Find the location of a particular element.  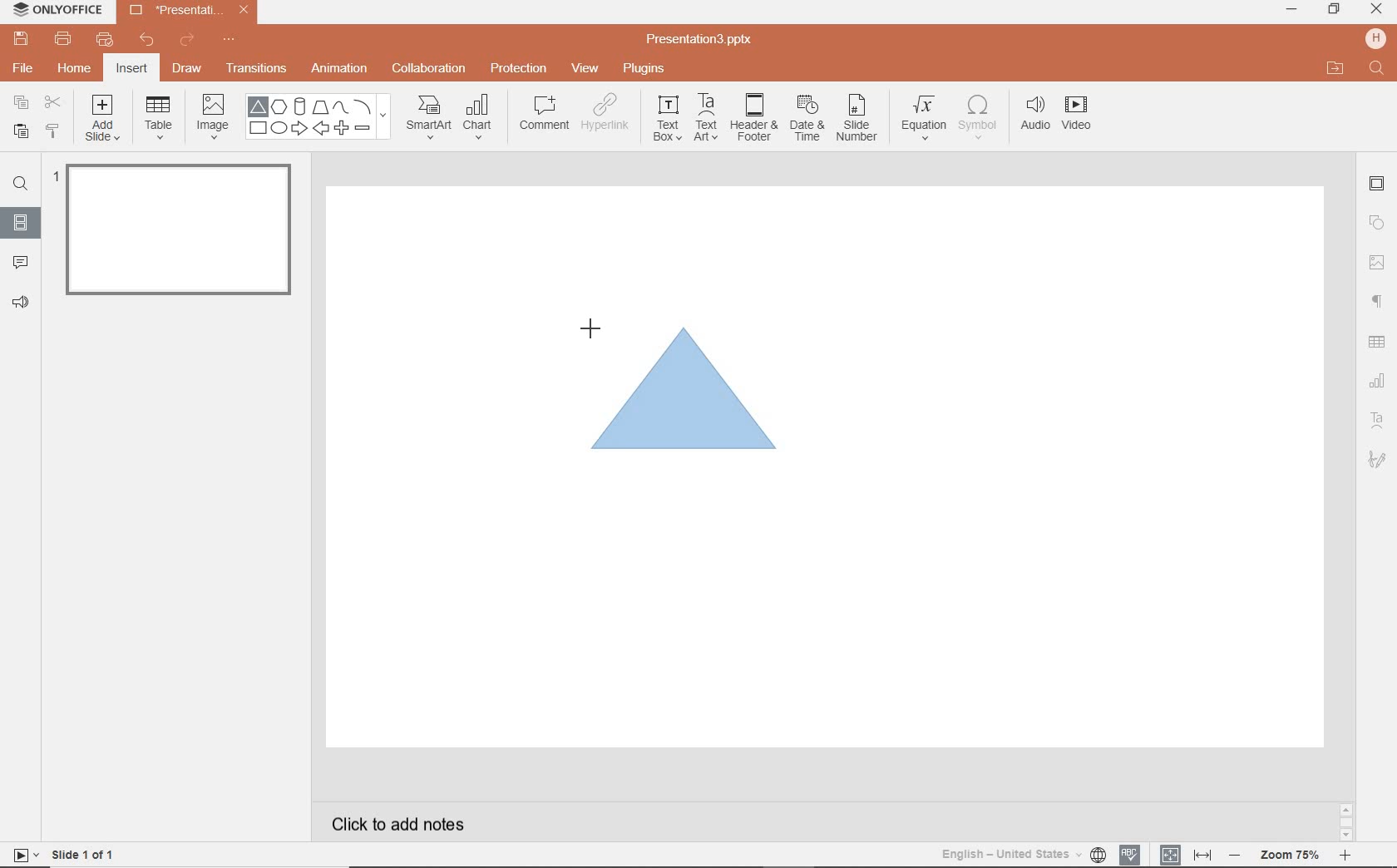

slide 1 is located at coordinates (184, 233).